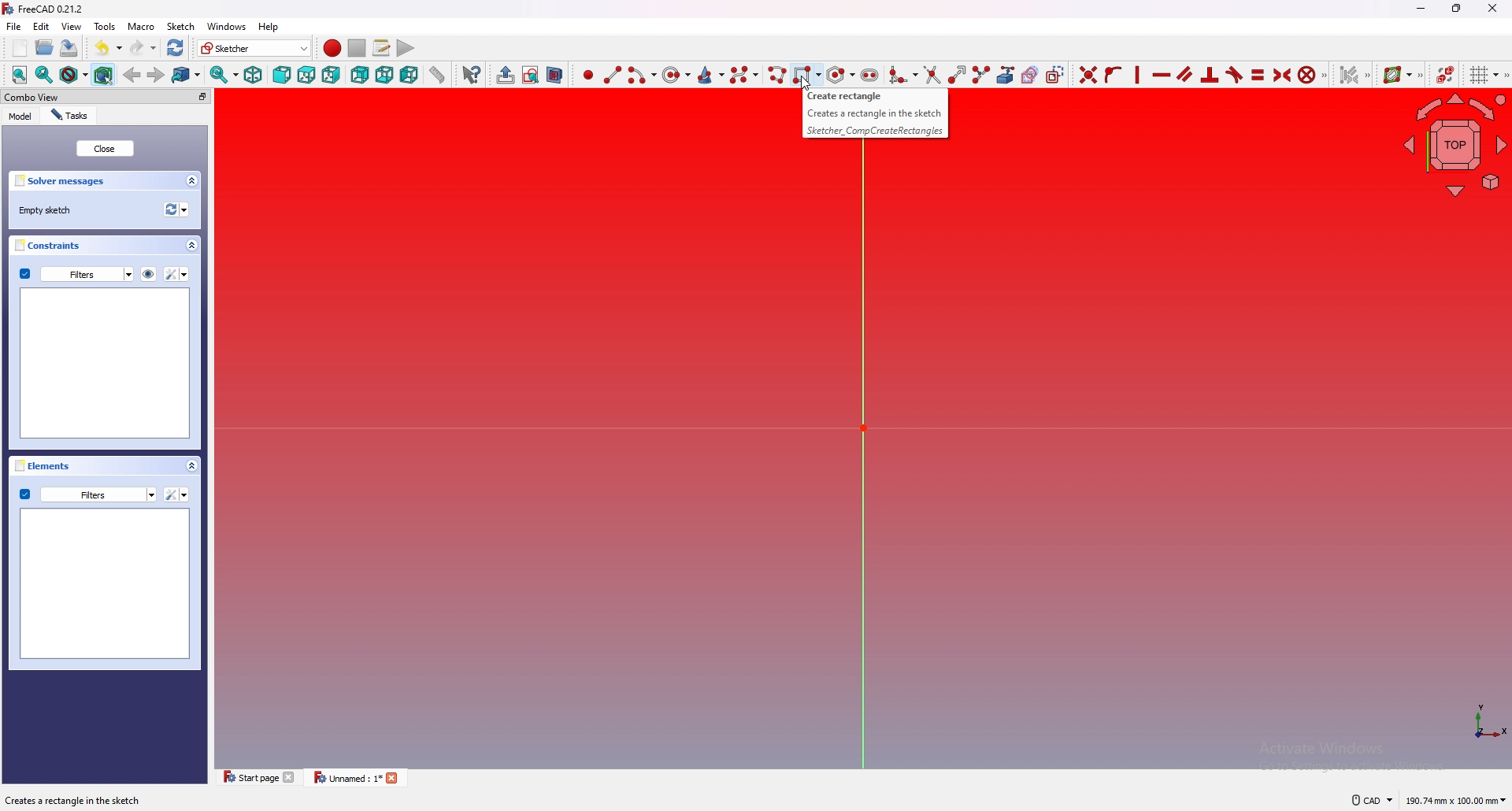 Image resolution: width=1512 pixels, height=811 pixels. I want to click on freecad, so click(46, 9).